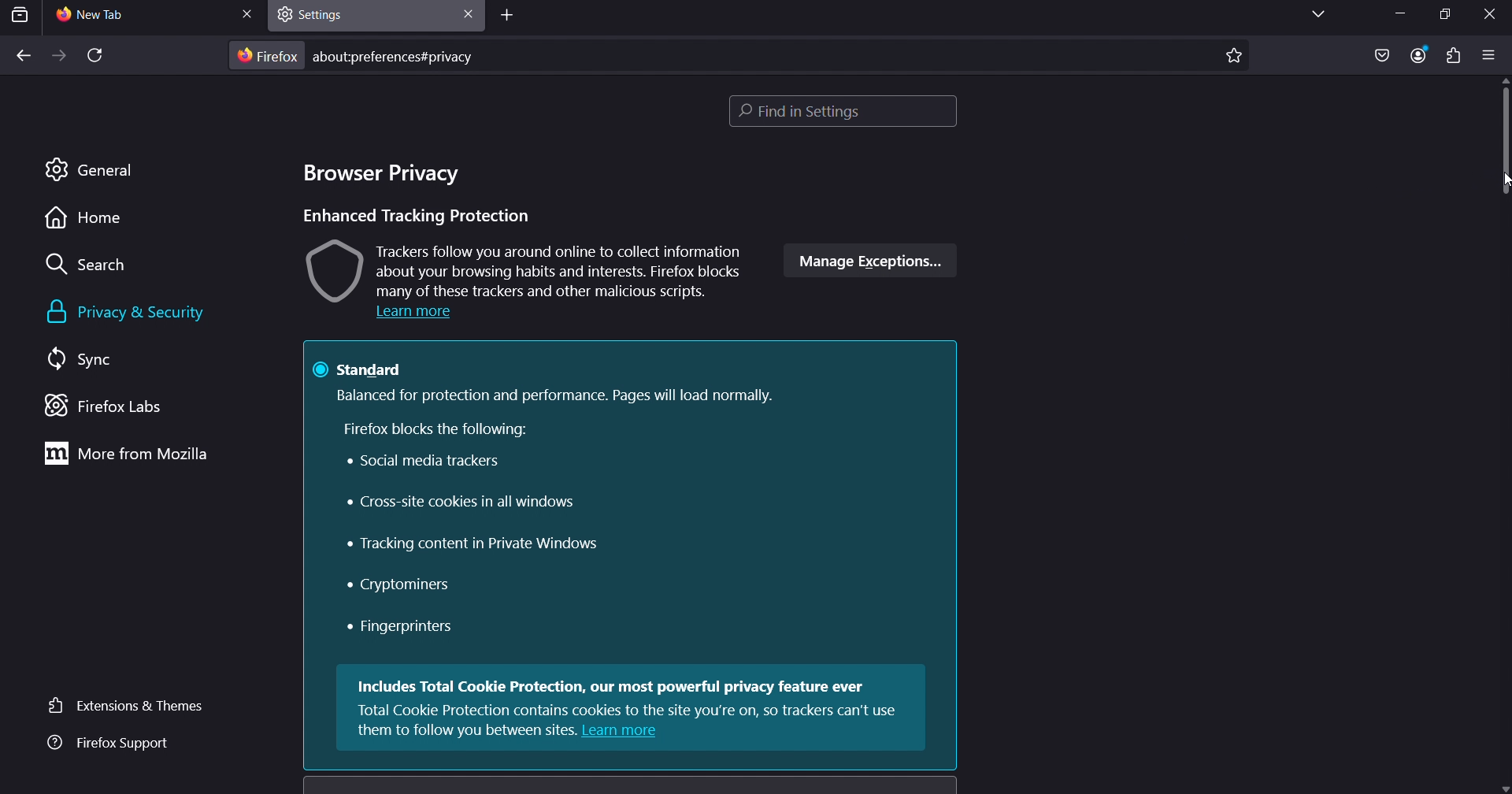 This screenshot has width=1512, height=794. Describe the element at coordinates (1489, 55) in the screenshot. I see `open application menu` at that location.